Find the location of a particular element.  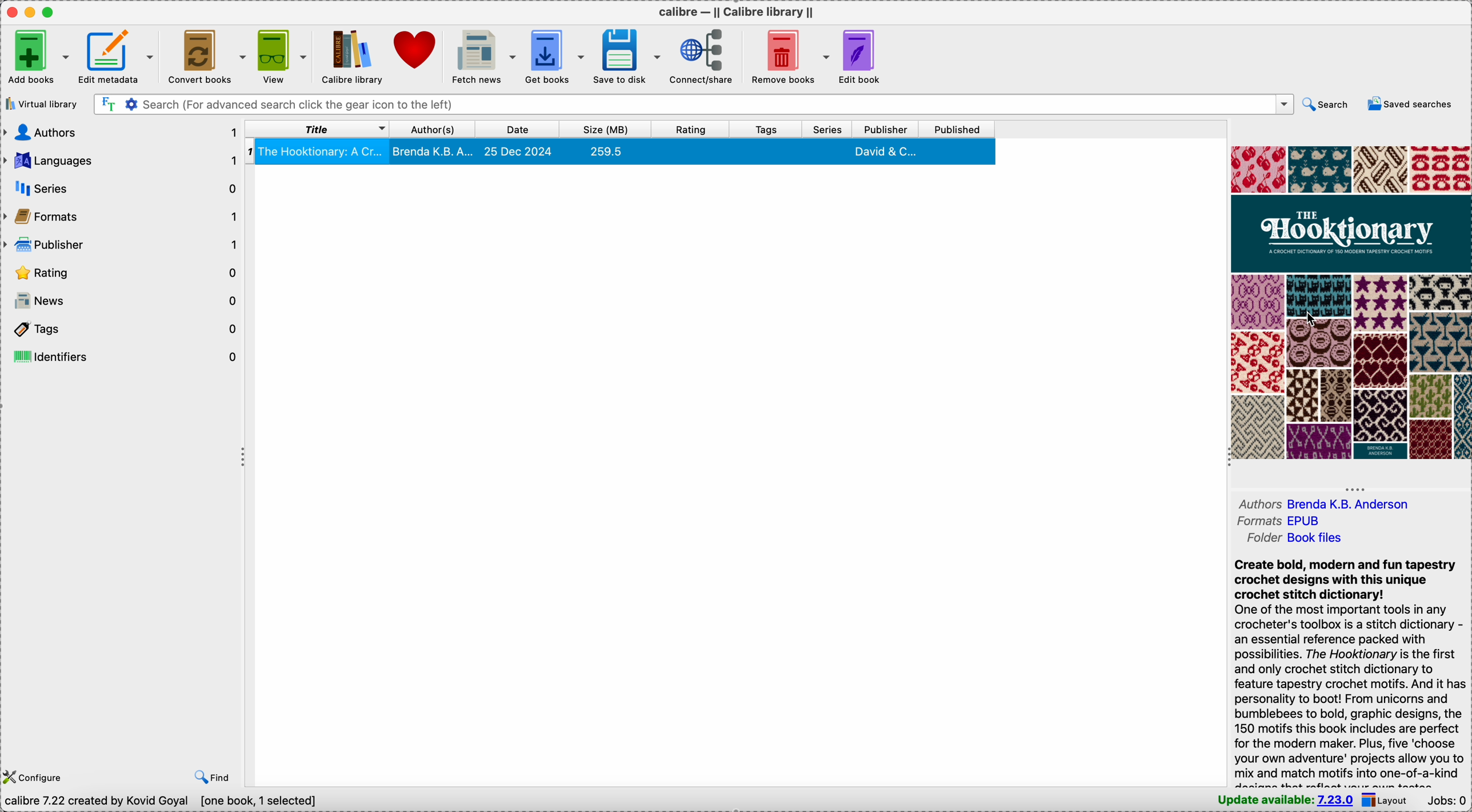

saved searches is located at coordinates (1413, 103).